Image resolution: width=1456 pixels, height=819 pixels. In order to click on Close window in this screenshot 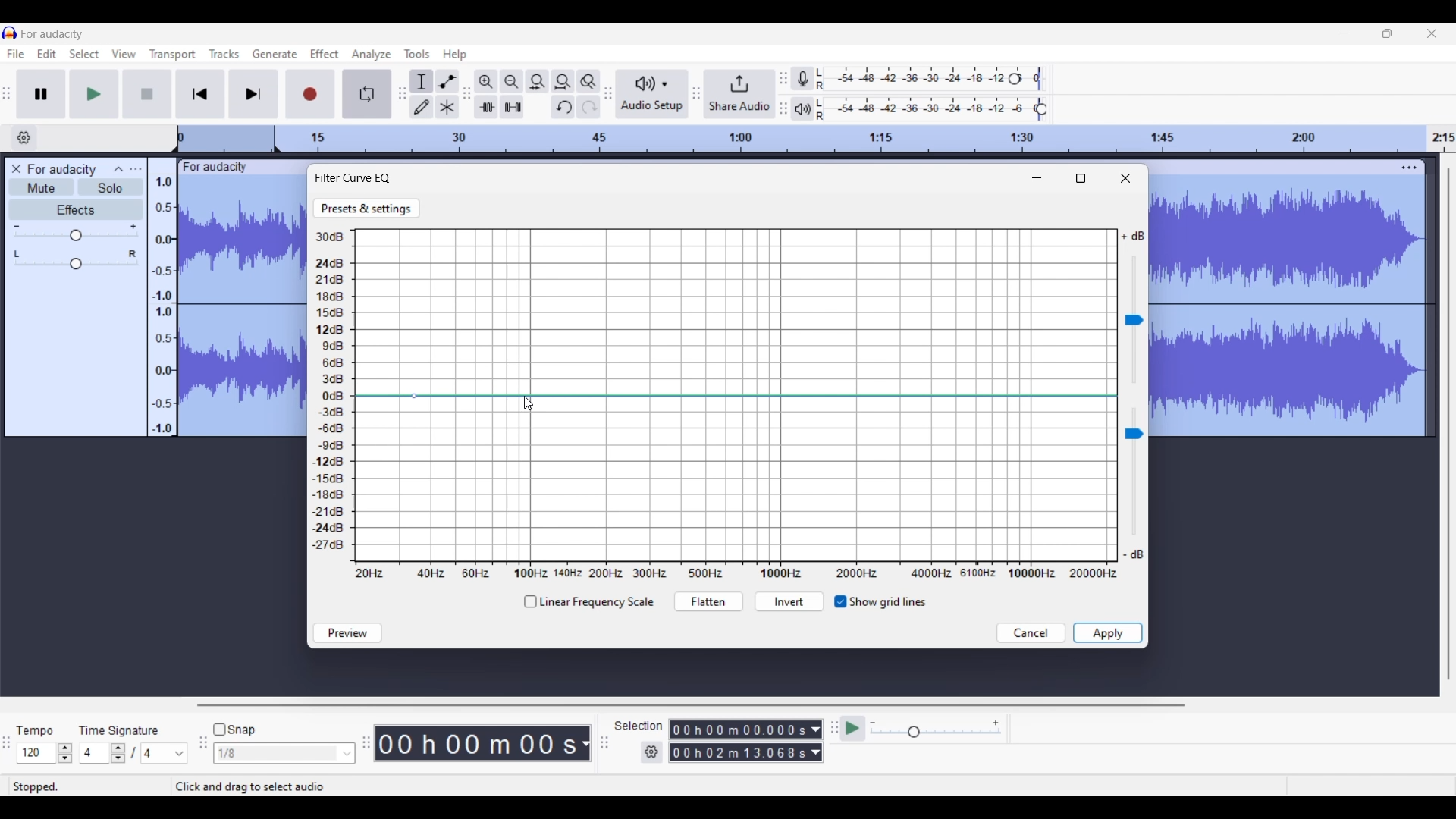, I will do `click(1125, 178)`.